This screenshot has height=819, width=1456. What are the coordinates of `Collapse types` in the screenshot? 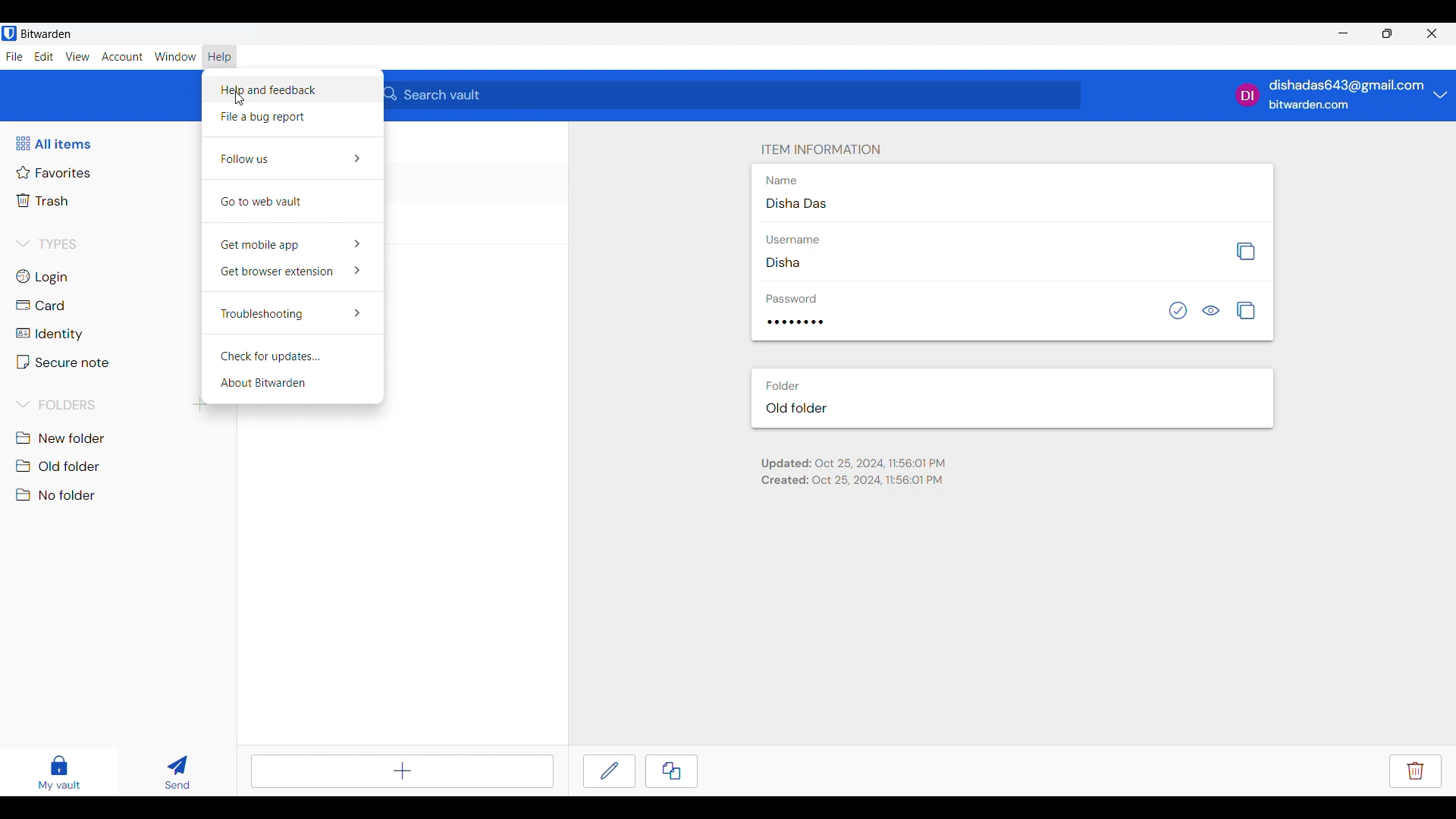 It's located at (46, 244).